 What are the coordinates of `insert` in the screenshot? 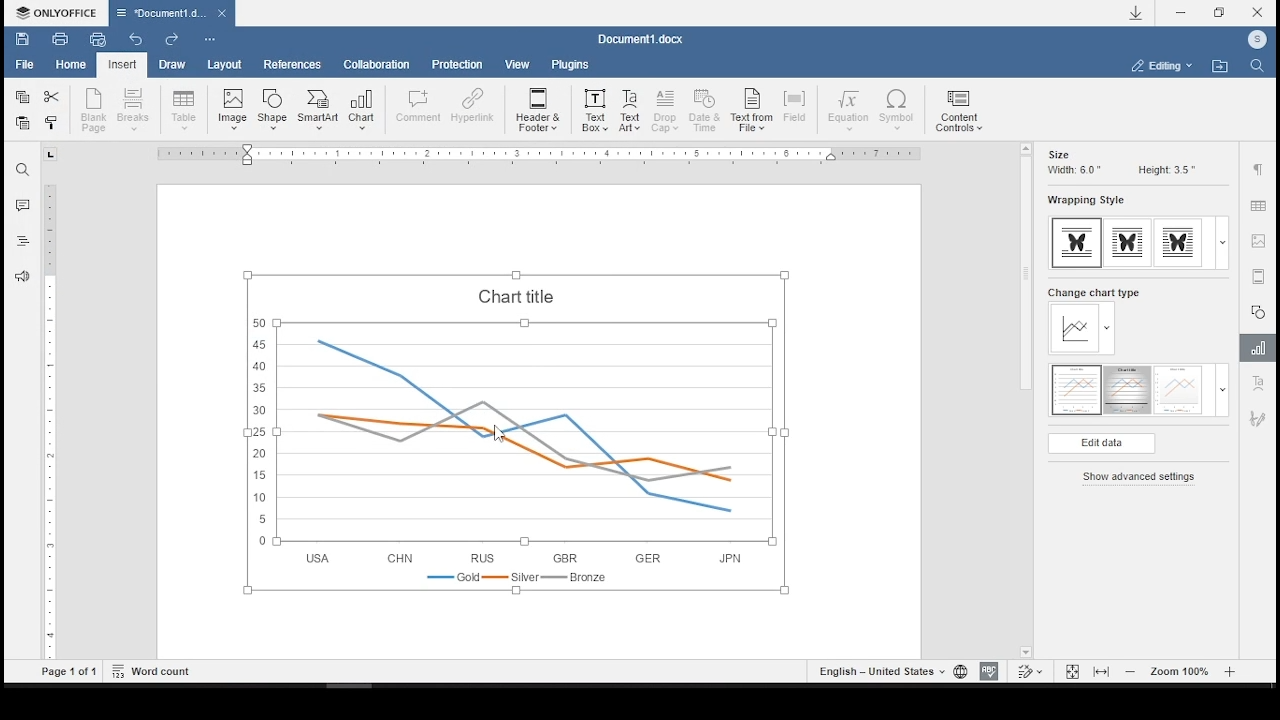 It's located at (123, 64).